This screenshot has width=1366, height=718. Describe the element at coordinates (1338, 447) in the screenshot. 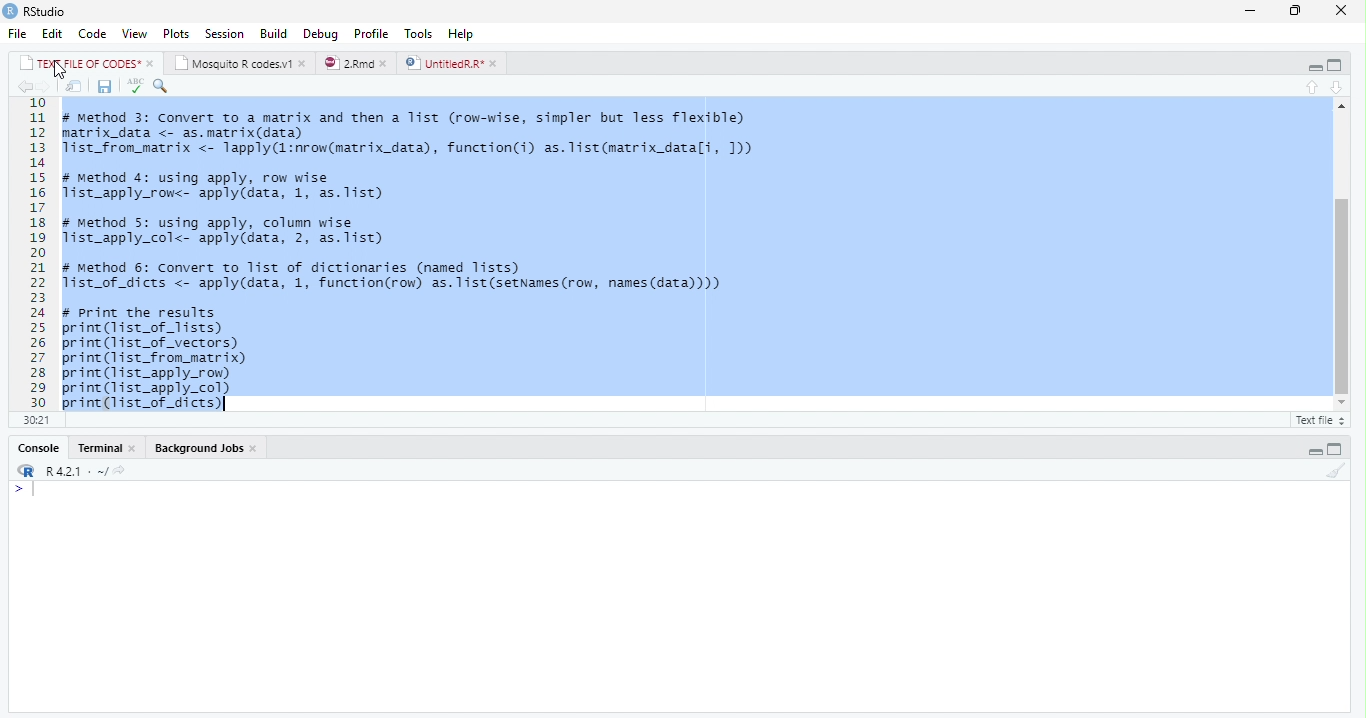

I see `Full Height` at that location.